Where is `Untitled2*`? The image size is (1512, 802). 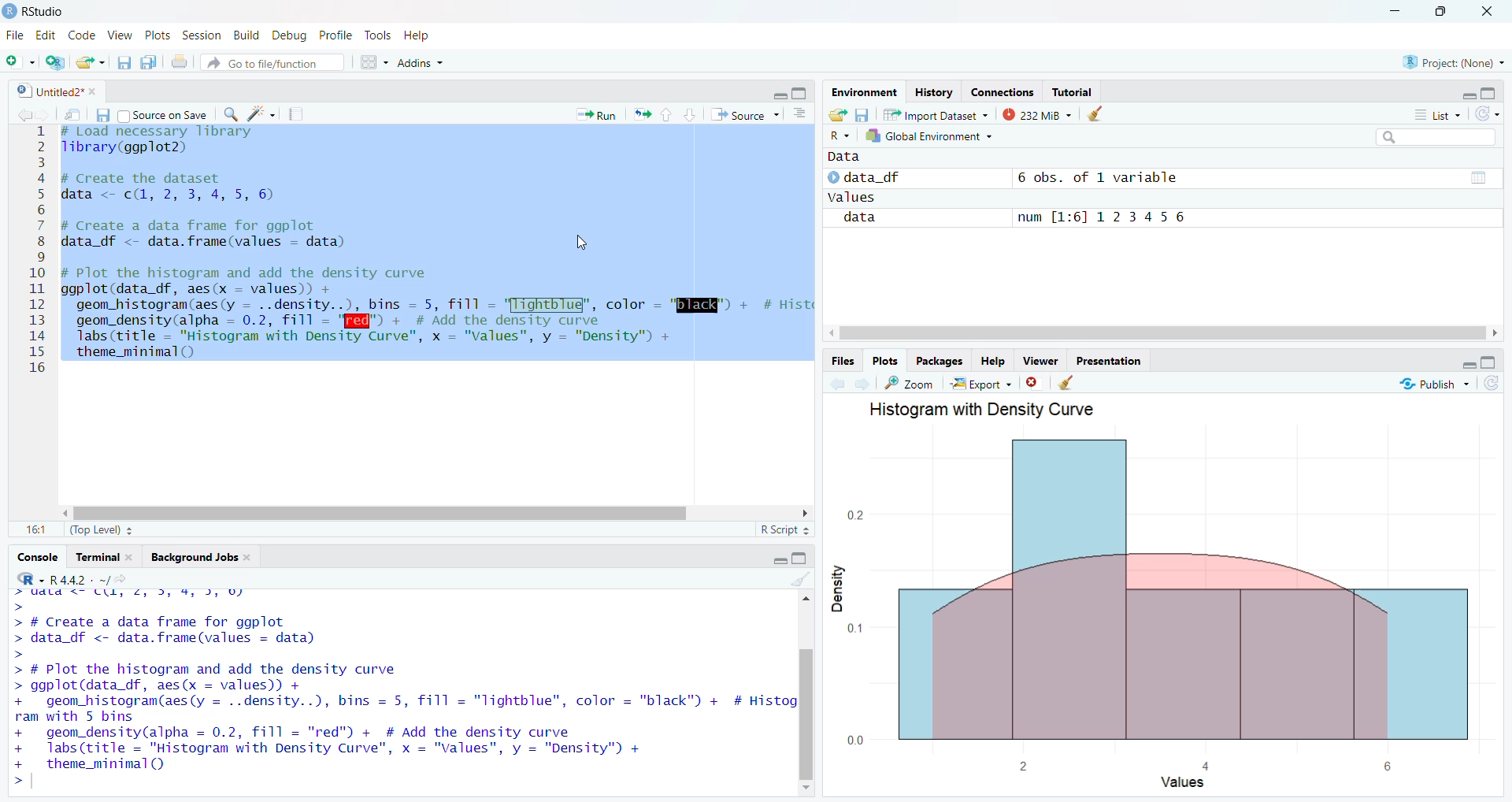
Untitled2* is located at coordinates (47, 89).